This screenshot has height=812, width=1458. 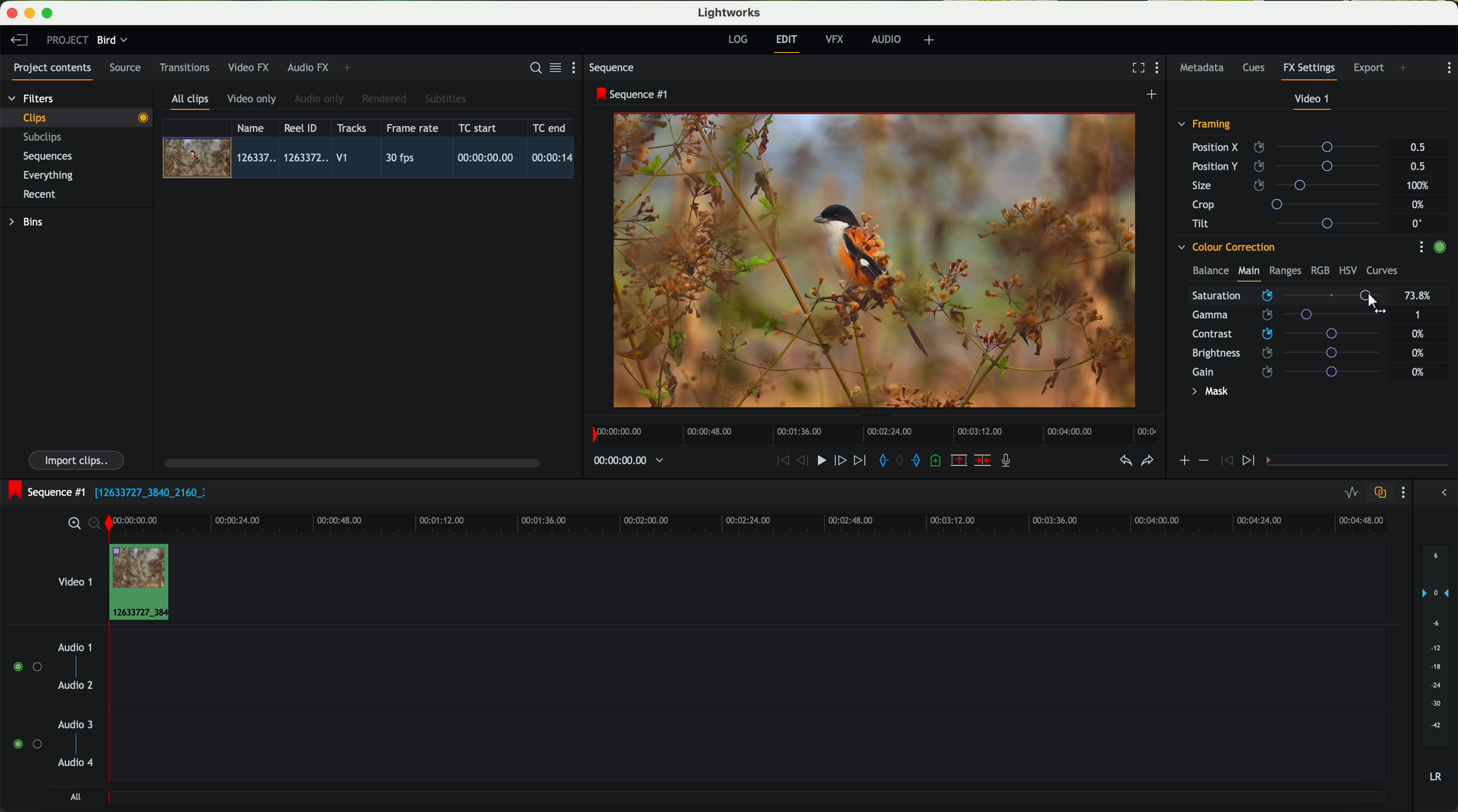 What do you see at coordinates (96, 525) in the screenshot?
I see `zoom out` at bounding box center [96, 525].